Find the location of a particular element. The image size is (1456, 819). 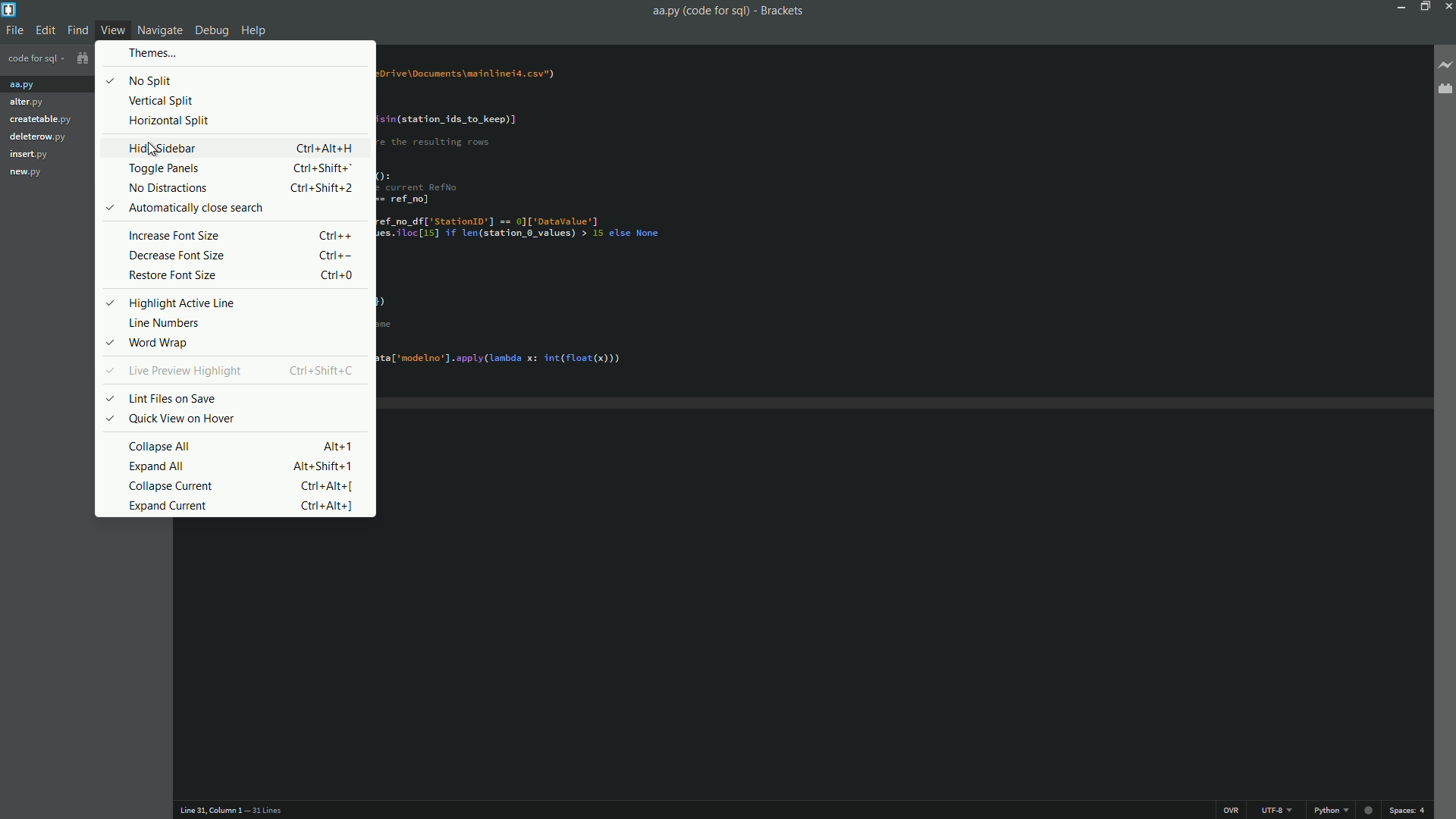

live preview button is located at coordinates (1445, 65).